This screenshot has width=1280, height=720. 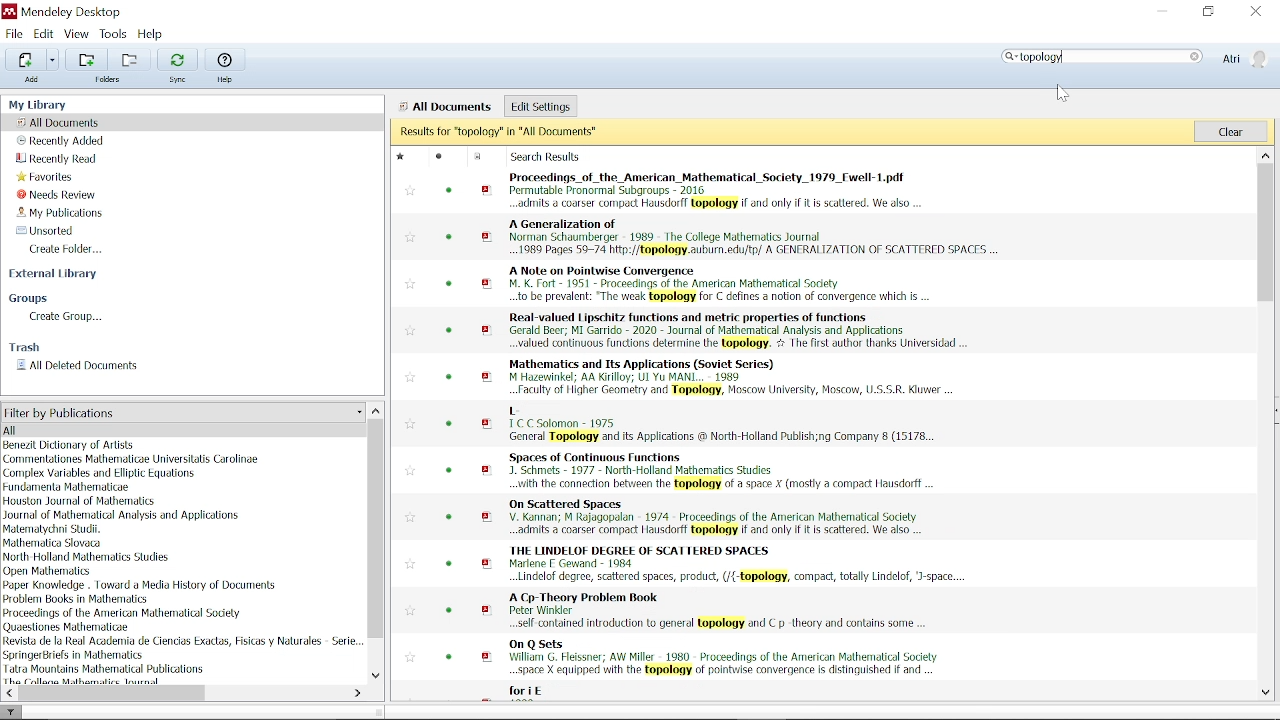 I want to click on Close window, so click(x=1254, y=12).